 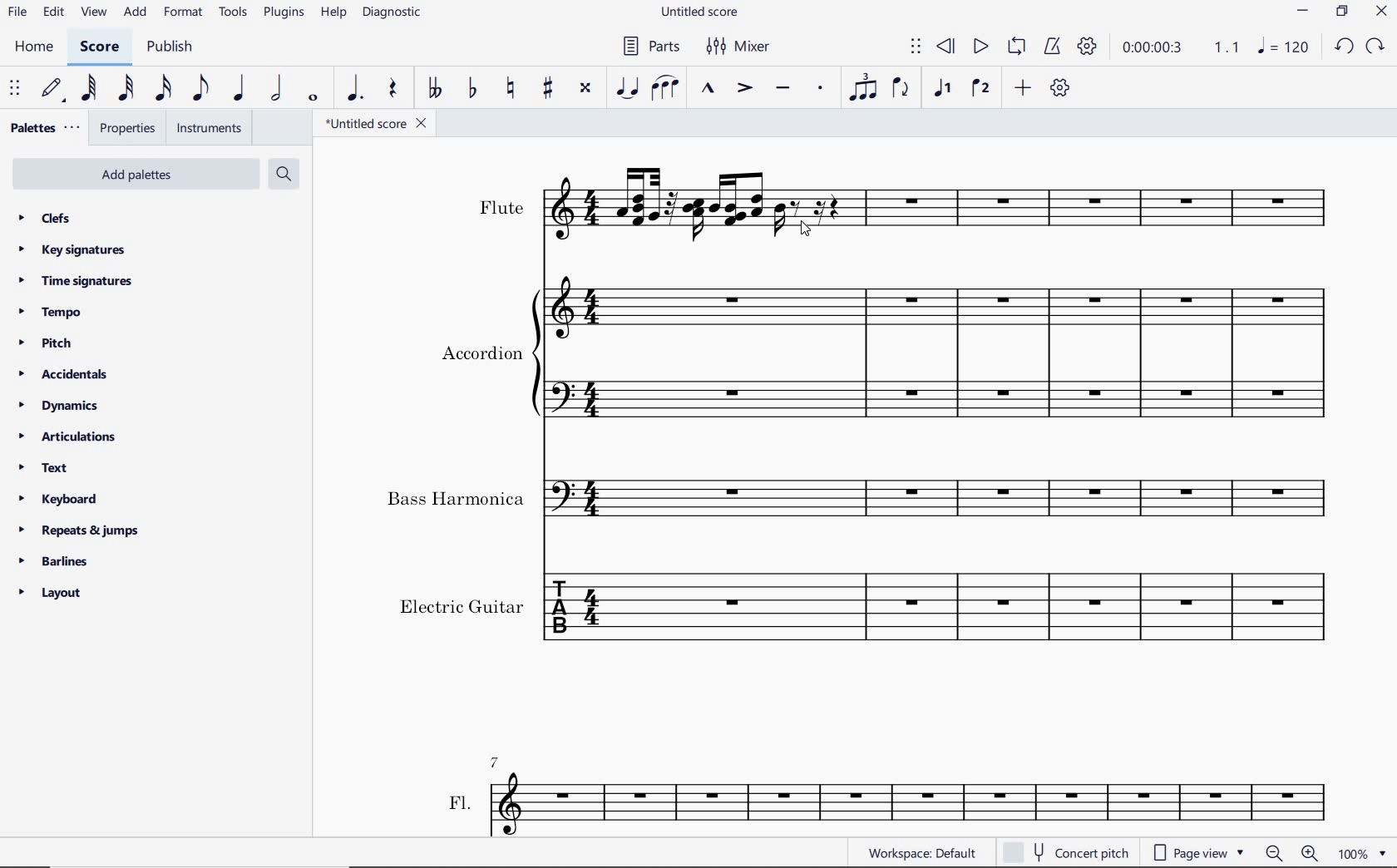 What do you see at coordinates (1282, 47) in the screenshot?
I see `NOTE` at bounding box center [1282, 47].